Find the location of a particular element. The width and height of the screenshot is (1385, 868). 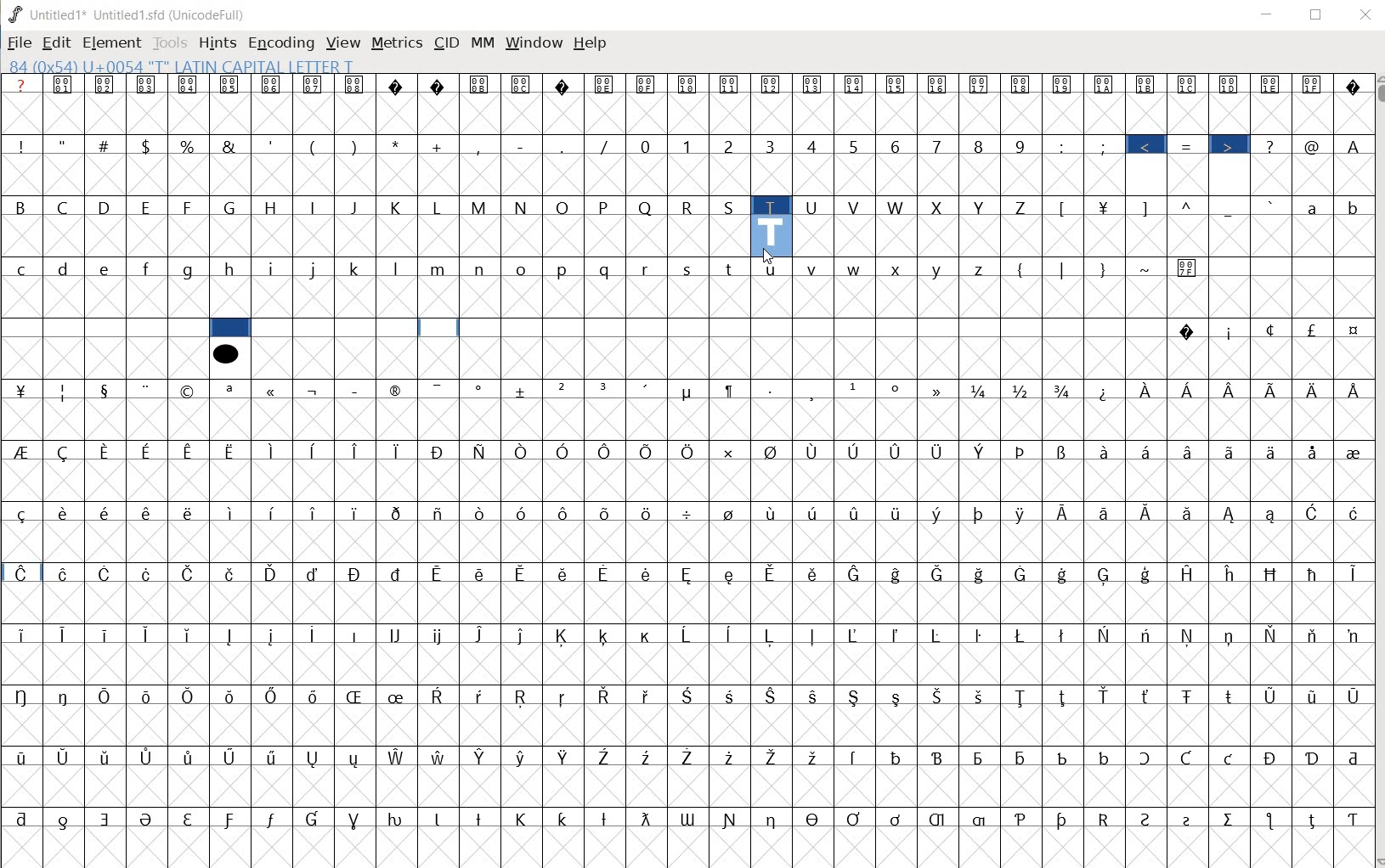

Symbol is located at coordinates (941, 389).